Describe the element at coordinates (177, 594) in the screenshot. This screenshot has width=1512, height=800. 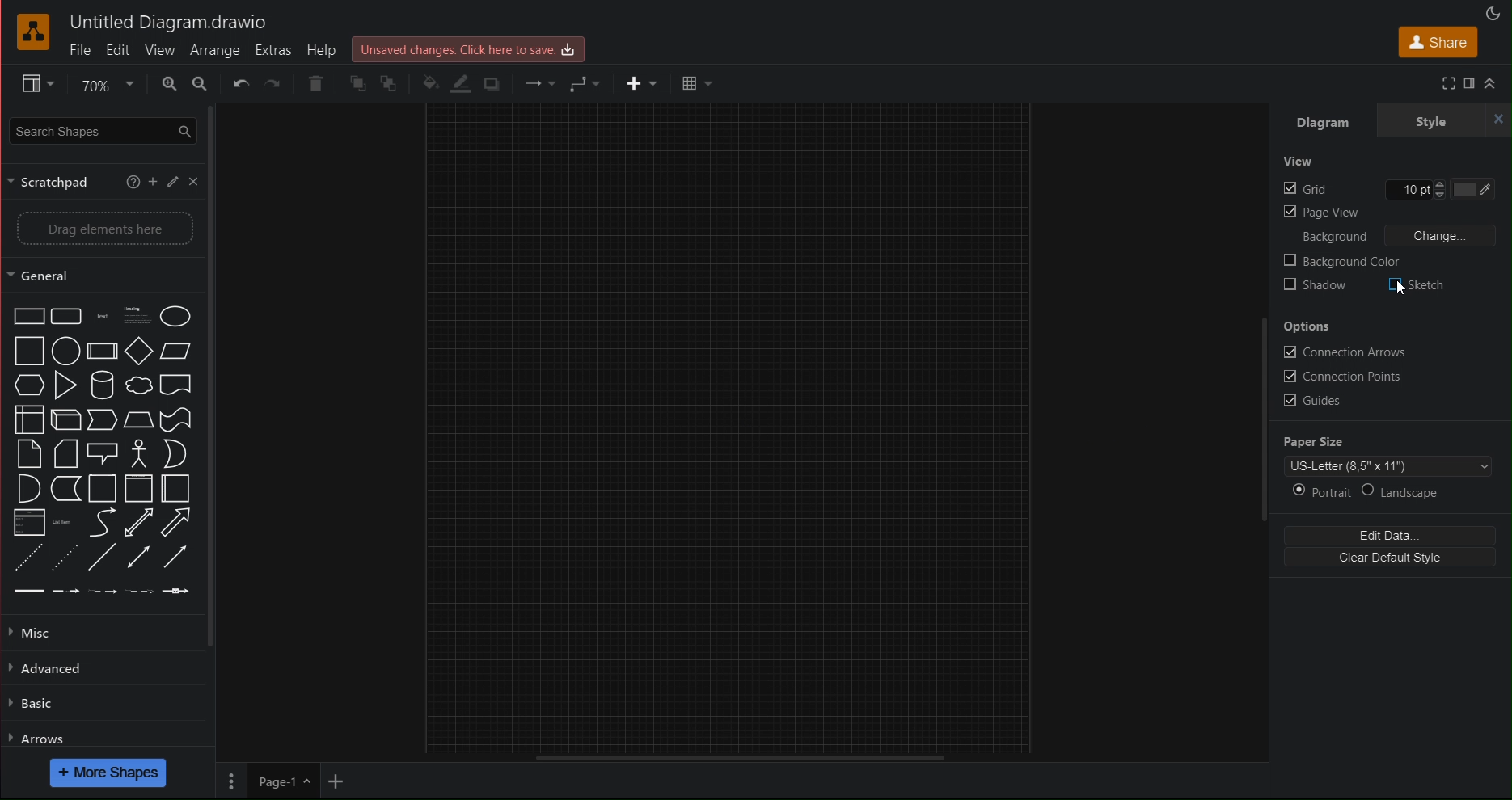
I see `connector with symbol` at that location.